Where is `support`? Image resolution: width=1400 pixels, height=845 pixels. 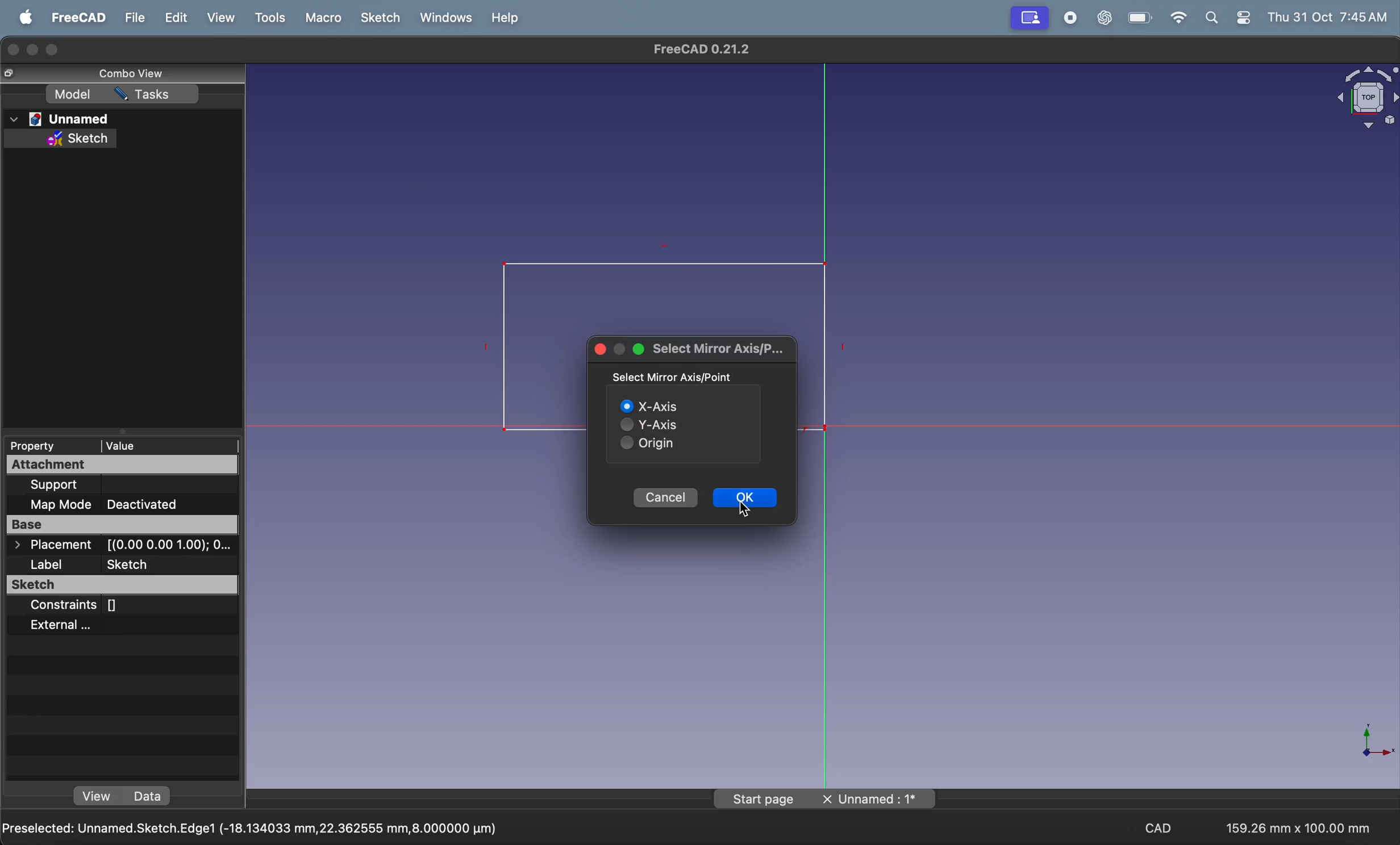
support is located at coordinates (126, 486).